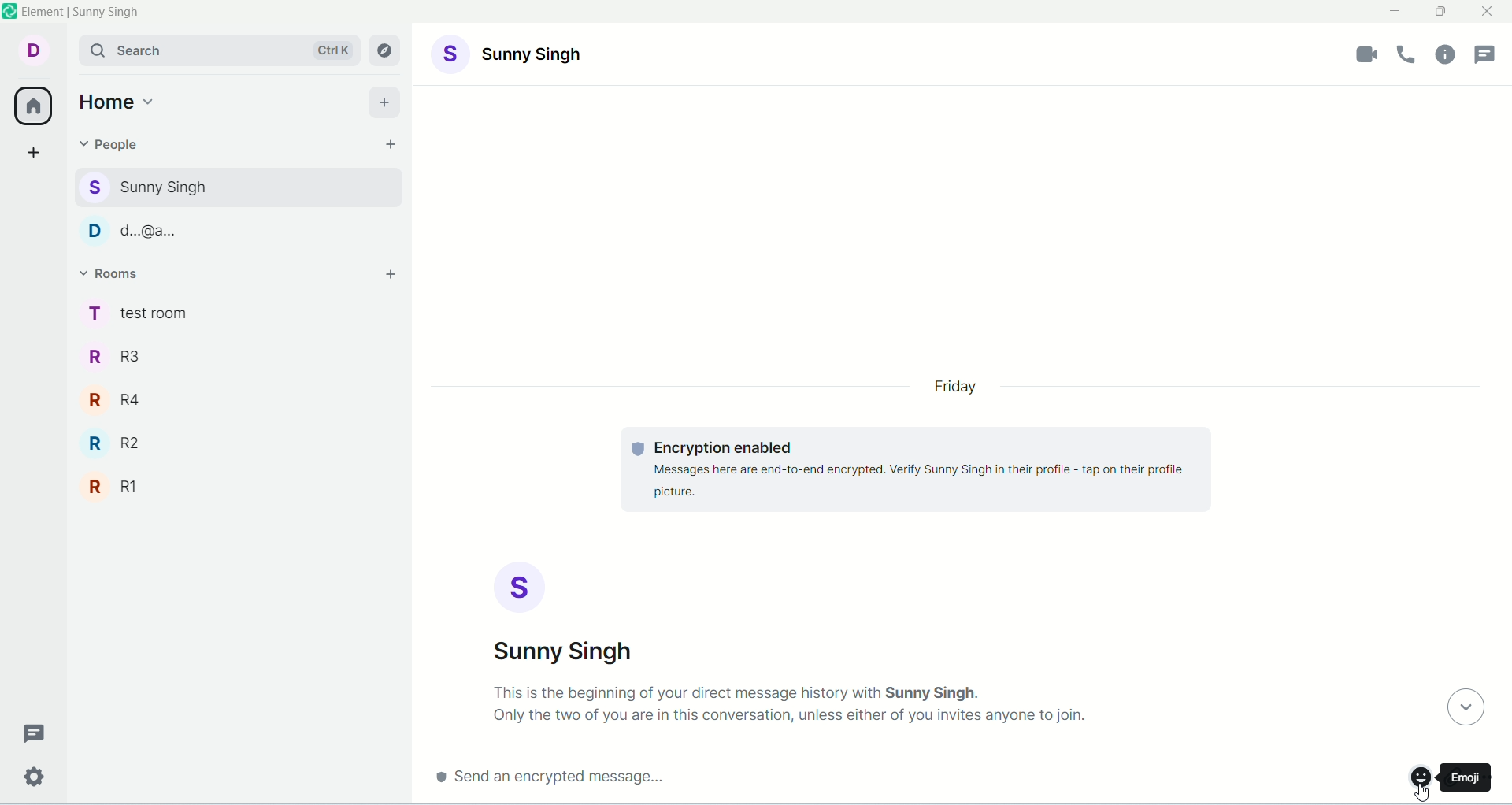  I want to click on create a space, so click(35, 154).